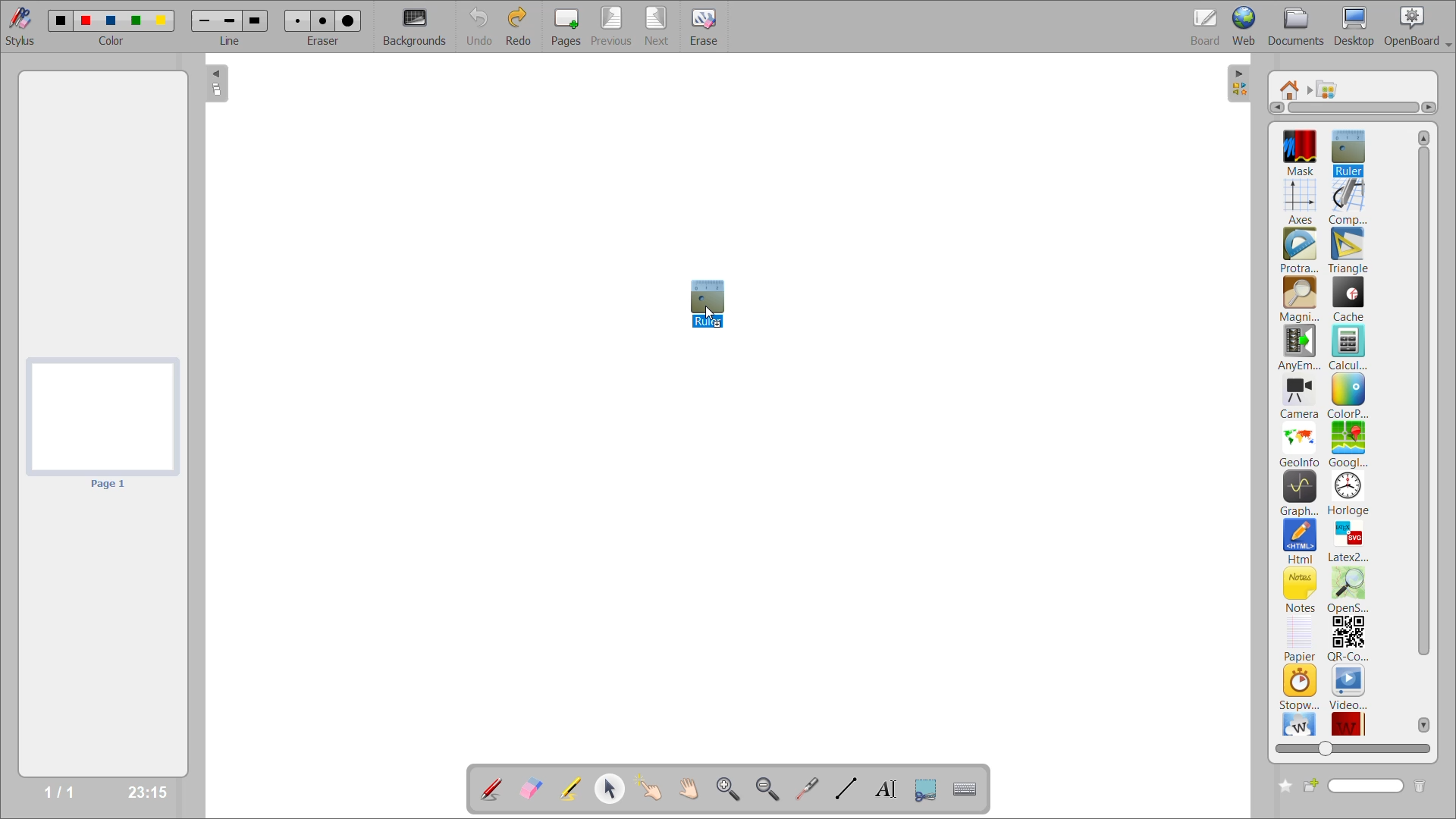 This screenshot has height=819, width=1456. I want to click on line 3, so click(254, 22).